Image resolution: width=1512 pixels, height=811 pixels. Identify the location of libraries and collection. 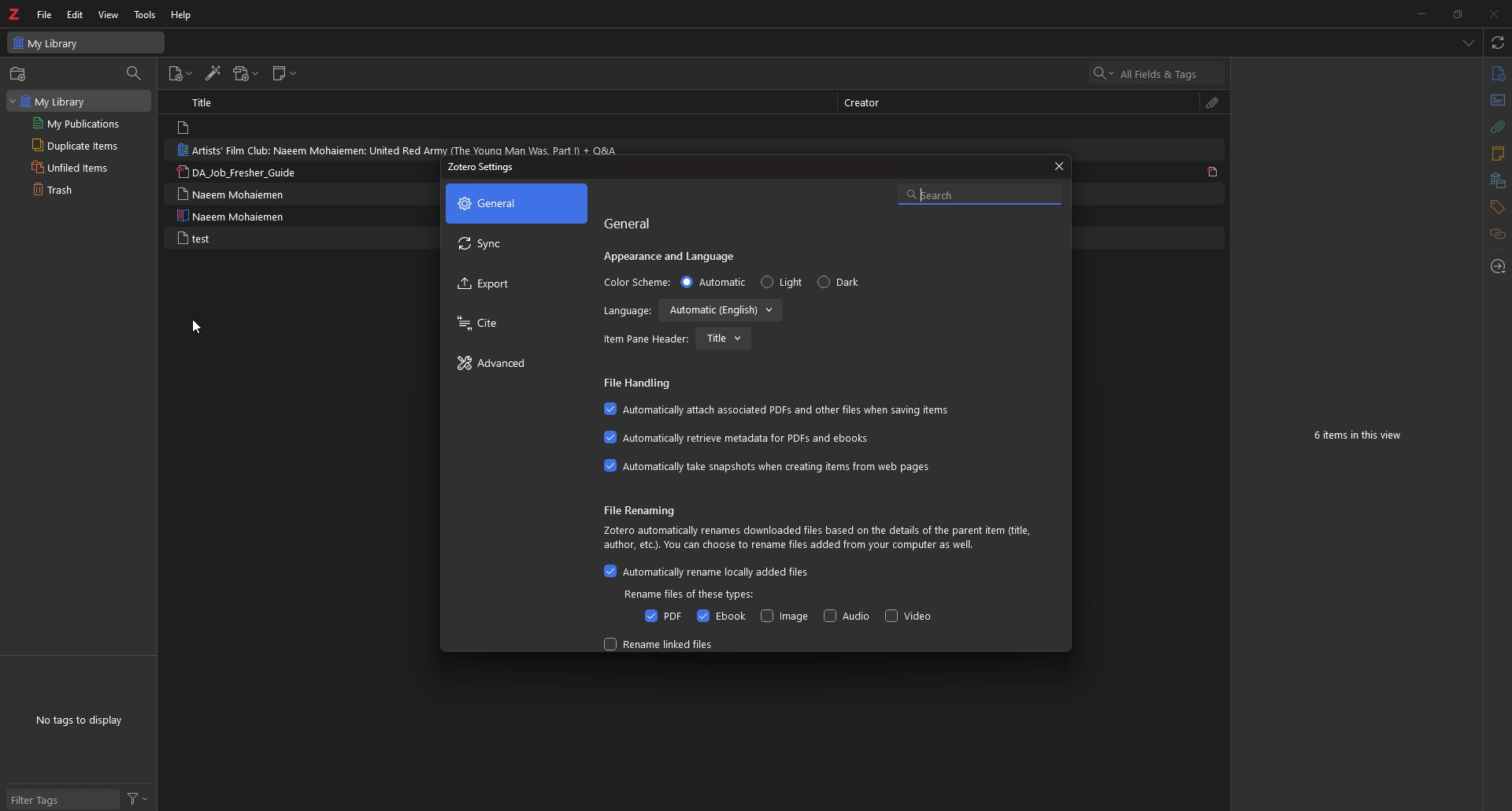
(1497, 181).